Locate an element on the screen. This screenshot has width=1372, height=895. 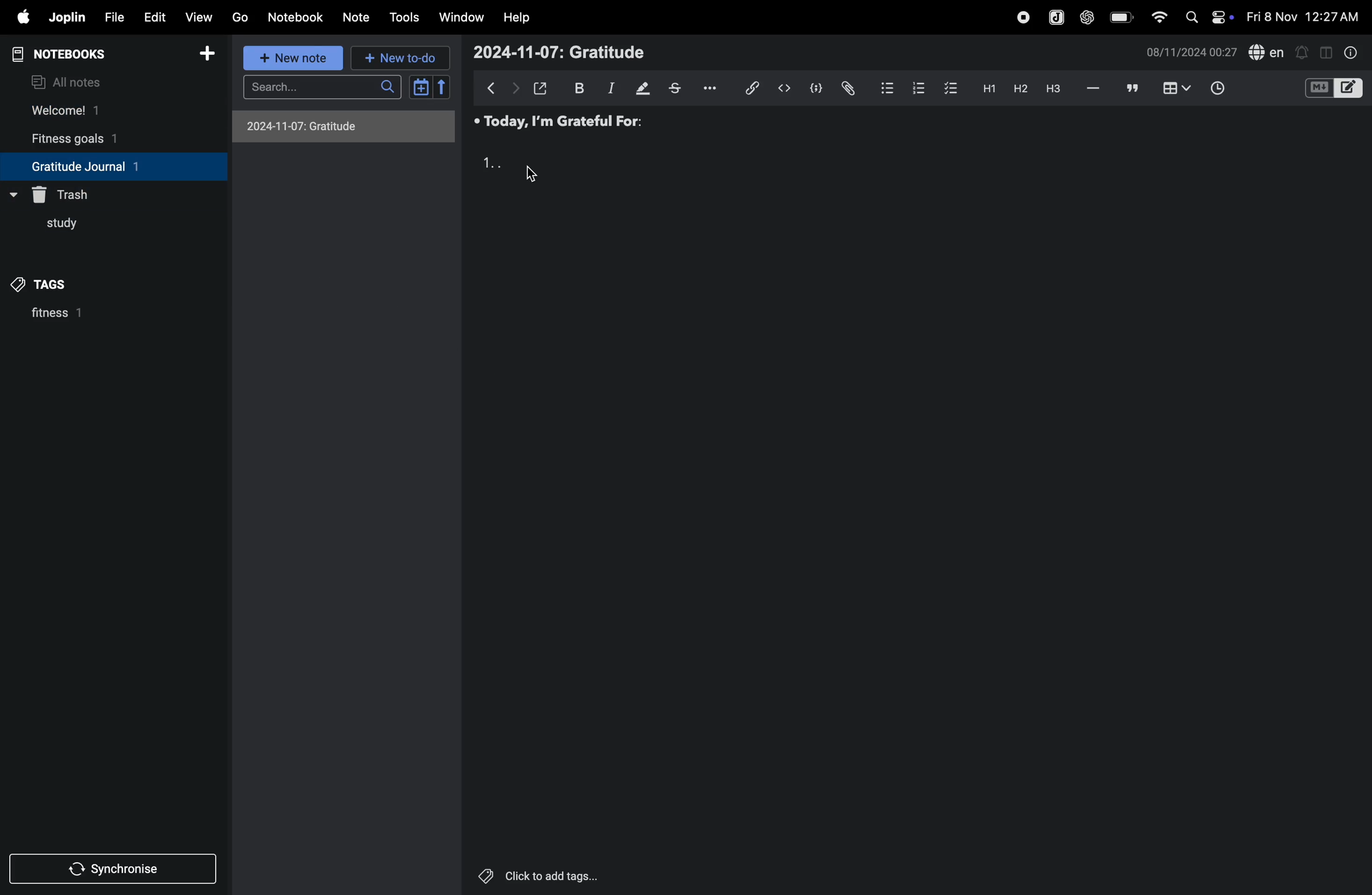
Fri 8 Nov 12:27 AM is located at coordinates (1304, 16).